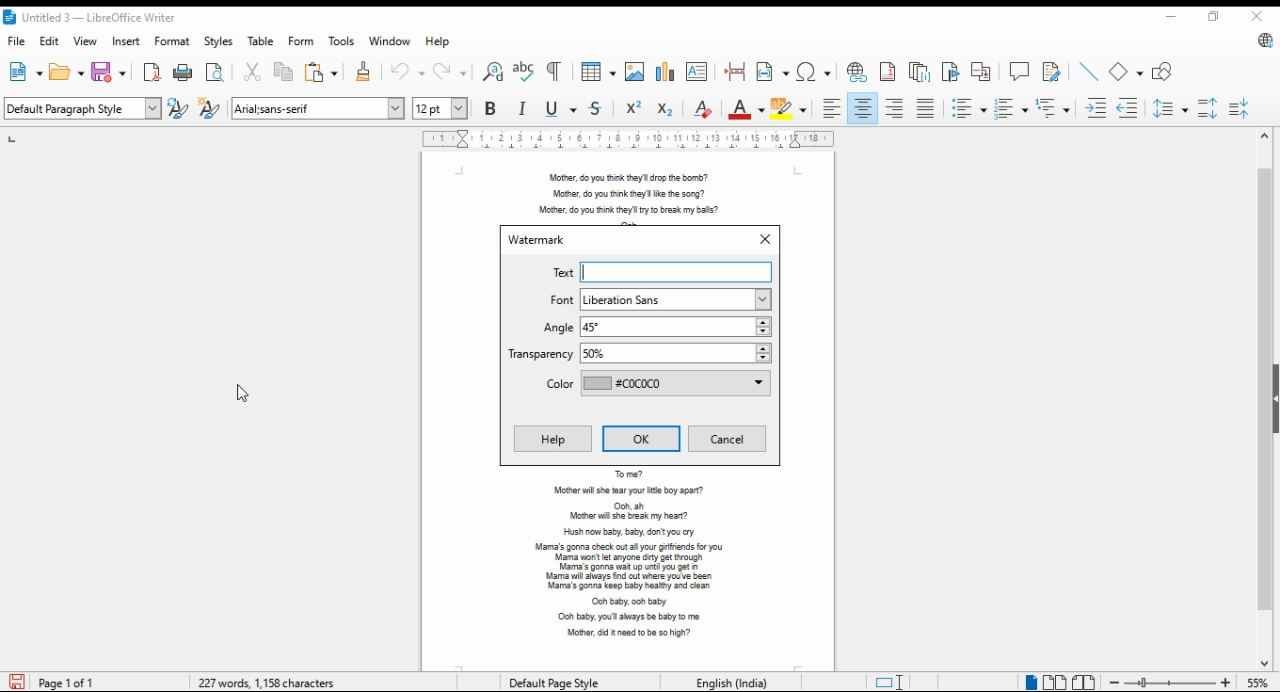 The width and height of the screenshot is (1280, 692). Describe the element at coordinates (1211, 17) in the screenshot. I see `restore` at that location.